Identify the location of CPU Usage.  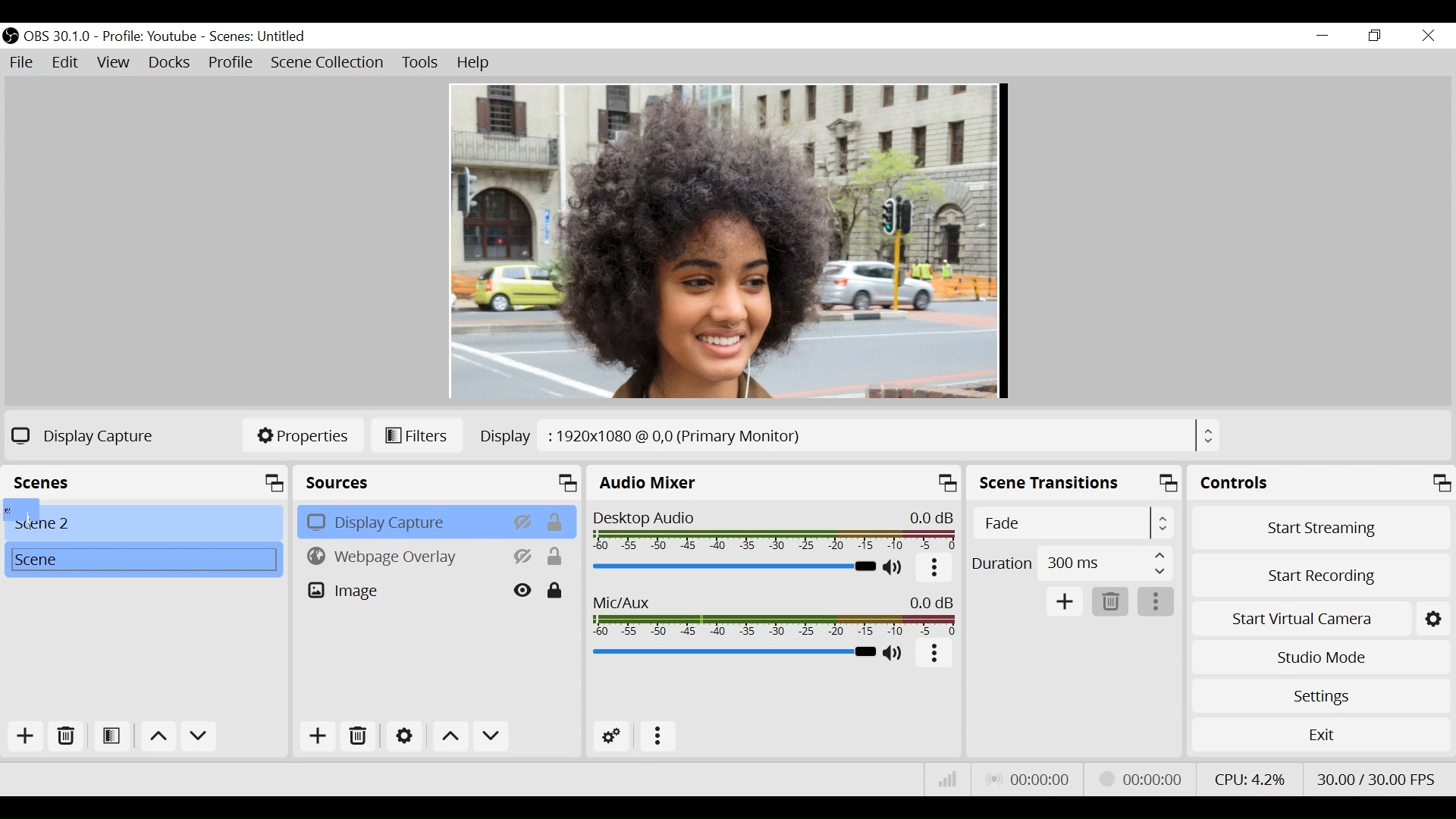
(1250, 778).